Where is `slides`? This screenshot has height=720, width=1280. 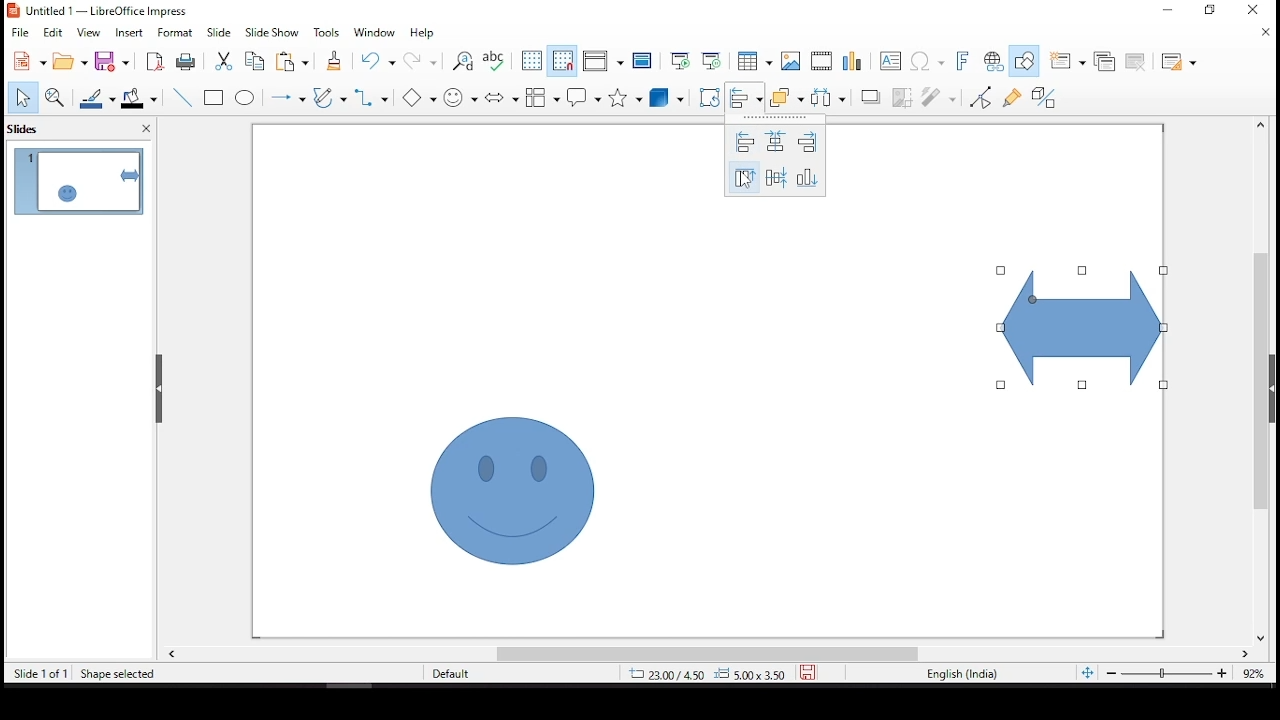 slides is located at coordinates (29, 128).